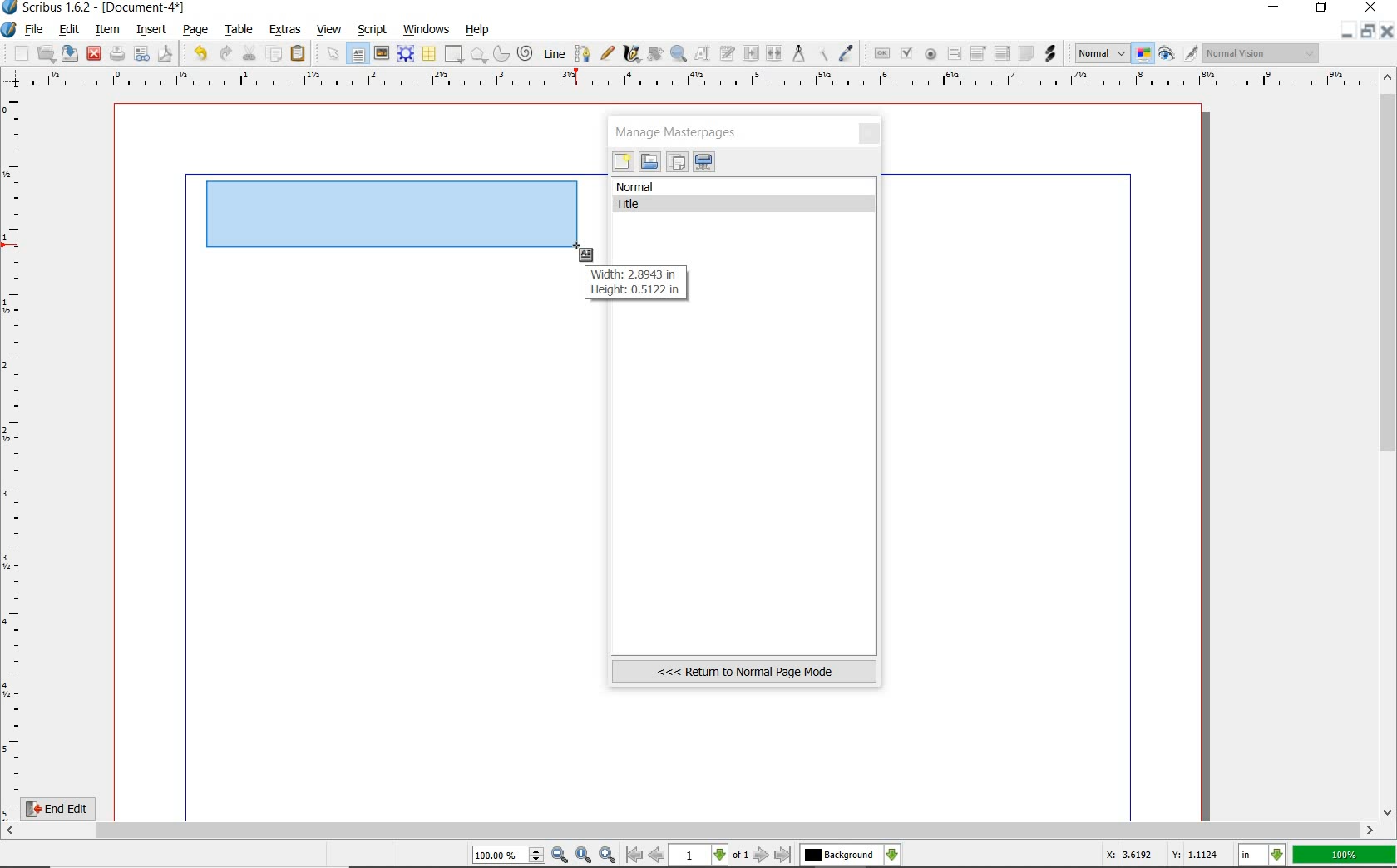 This screenshot has height=868, width=1397. Describe the element at coordinates (1179, 53) in the screenshot. I see `preview mode` at that location.